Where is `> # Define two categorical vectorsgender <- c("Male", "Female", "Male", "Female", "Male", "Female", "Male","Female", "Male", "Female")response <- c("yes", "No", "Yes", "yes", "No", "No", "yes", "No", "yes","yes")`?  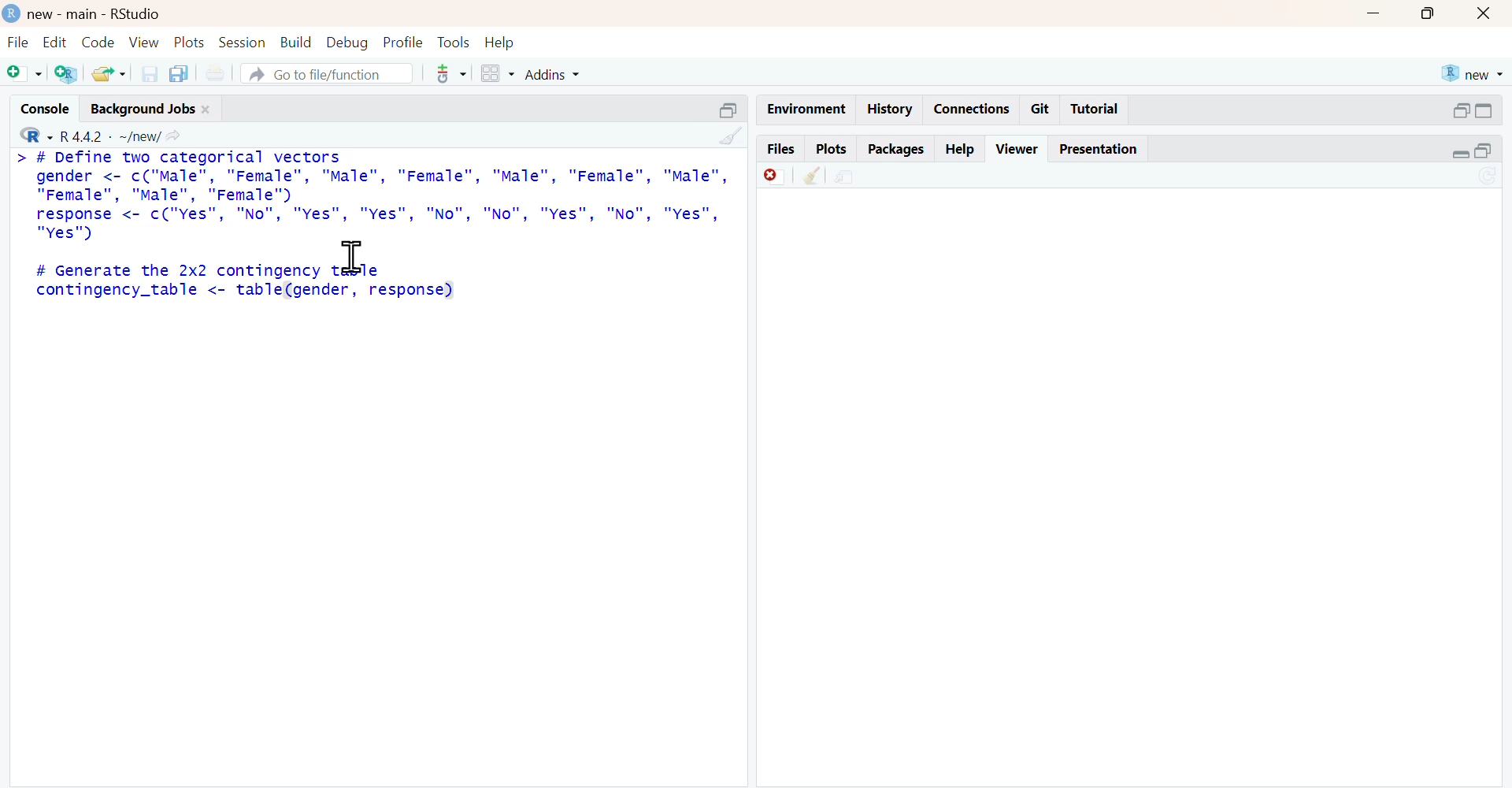 > # Define two categorical vectorsgender <- c("Male", "Female", "Male", "Female", "Male", "Female", "Male","Female", "Male", "Female")response <- c("yes", "No", "Yes", "yes", "No", "No", "yes", "No", "yes","yes") is located at coordinates (373, 196).